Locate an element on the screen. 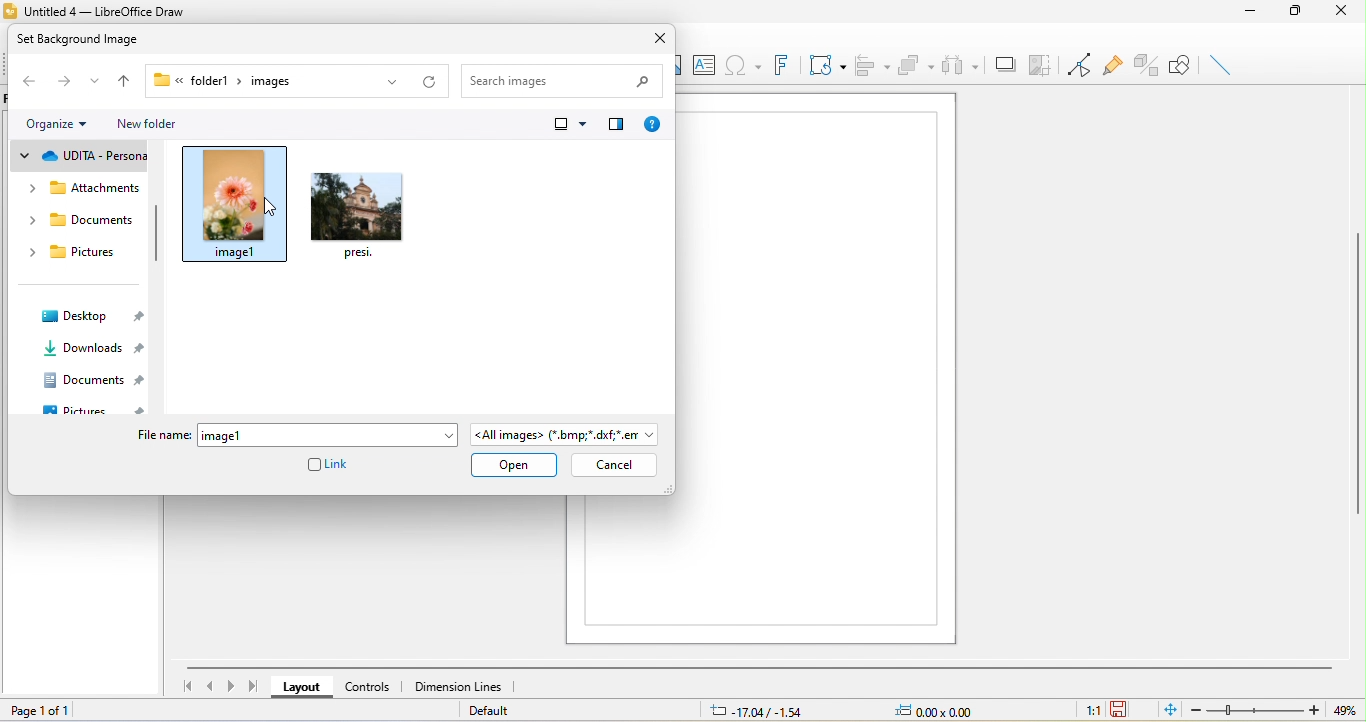  open is located at coordinates (514, 467).